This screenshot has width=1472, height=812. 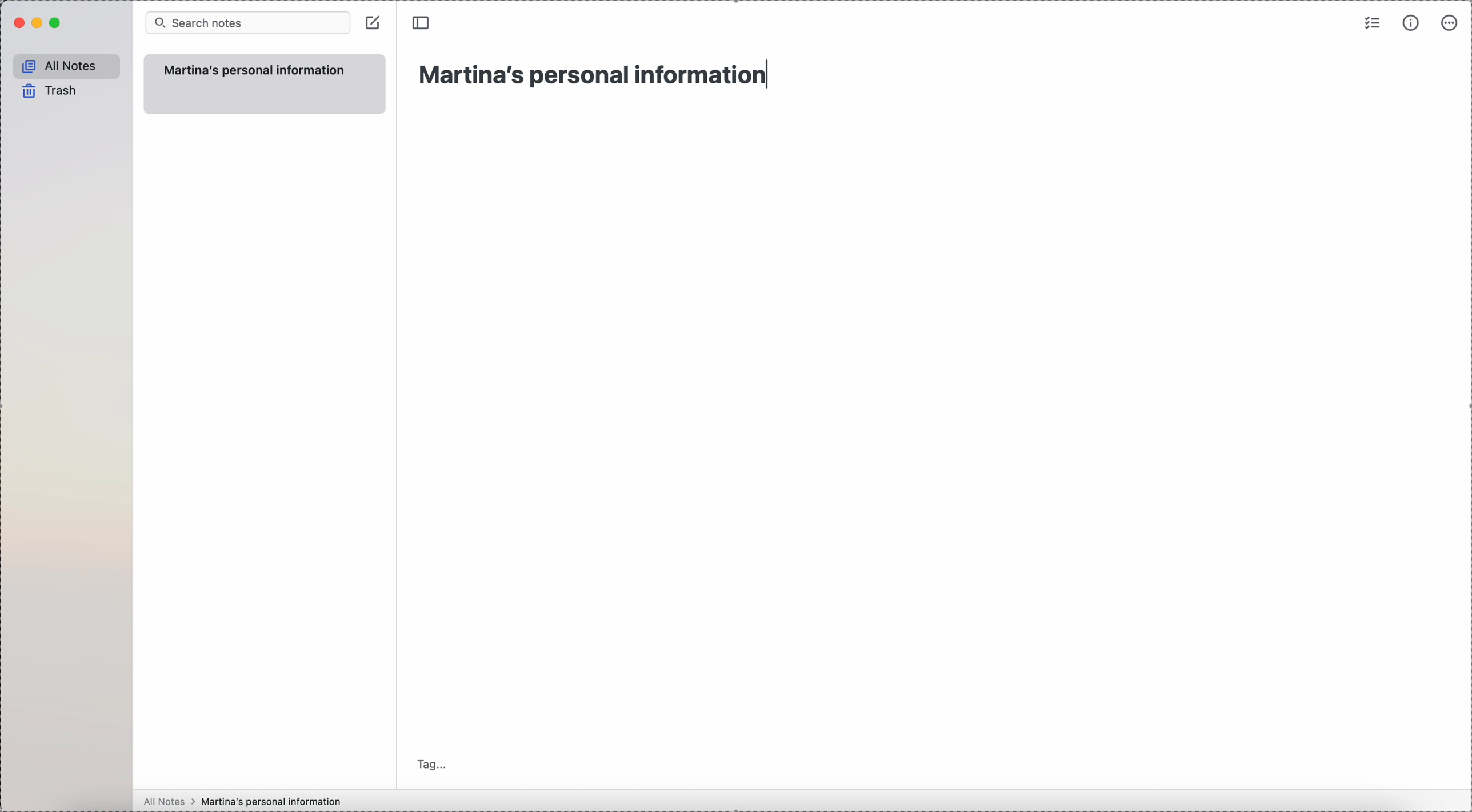 What do you see at coordinates (434, 763) in the screenshot?
I see `tag` at bounding box center [434, 763].